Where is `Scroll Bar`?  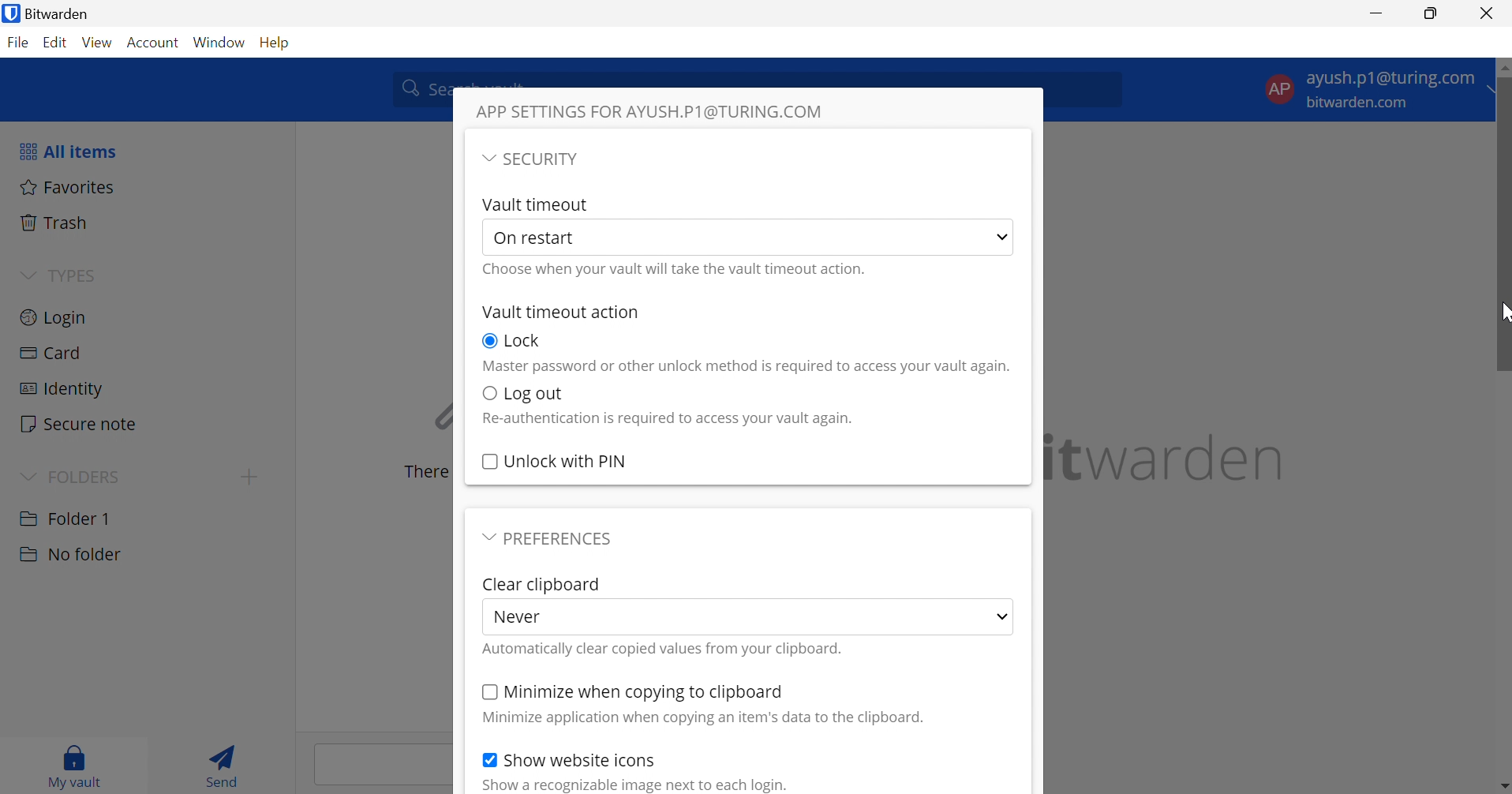
Scroll Bar is located at coordinates (1503, 451).